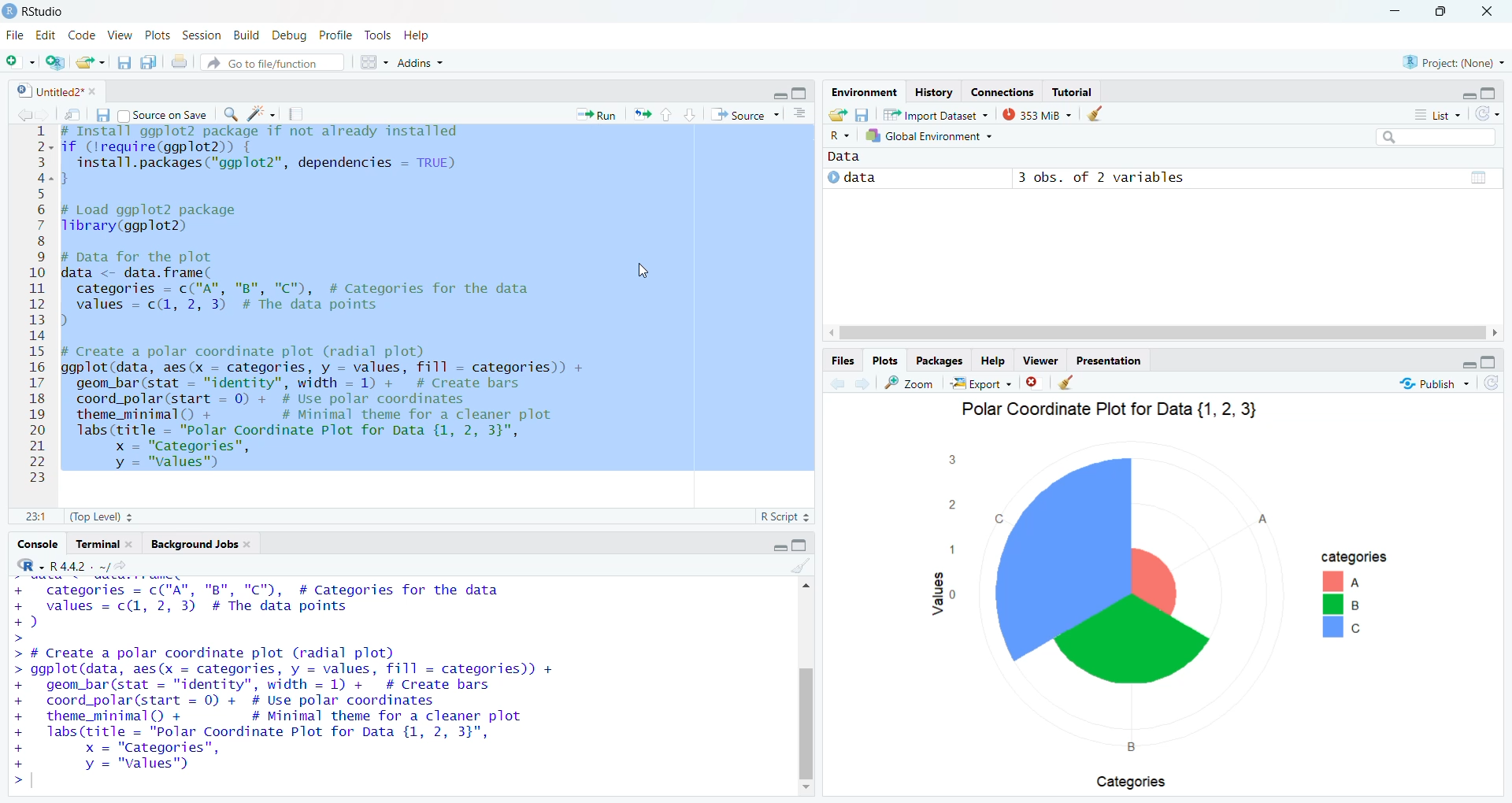 This screenshot has height=803, width=1512. I want to click on 1234567891011121314151617181920212223, so click(34, 305).